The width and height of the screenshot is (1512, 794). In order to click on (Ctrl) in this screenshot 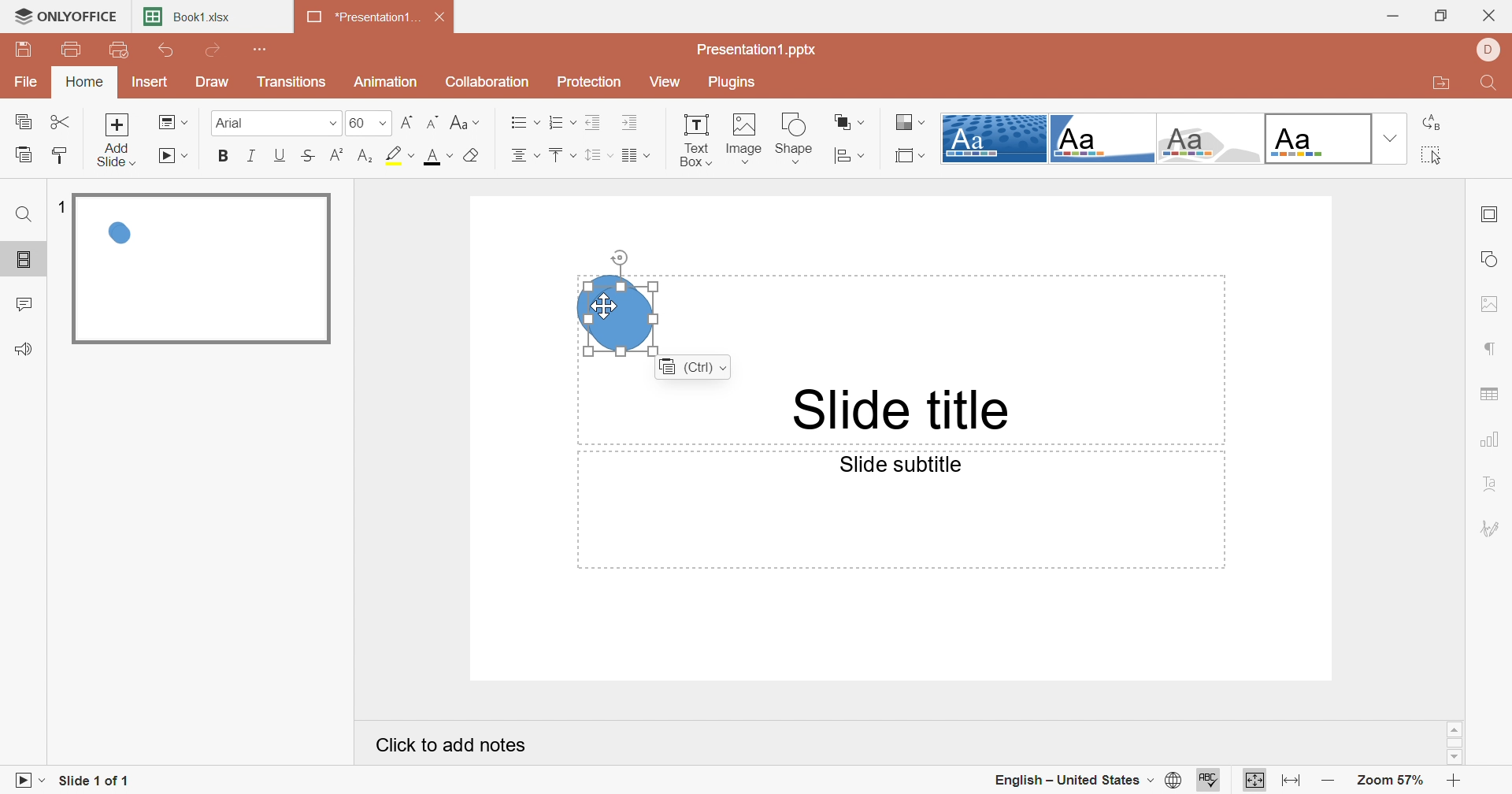, I will do `click(692, 368)`.